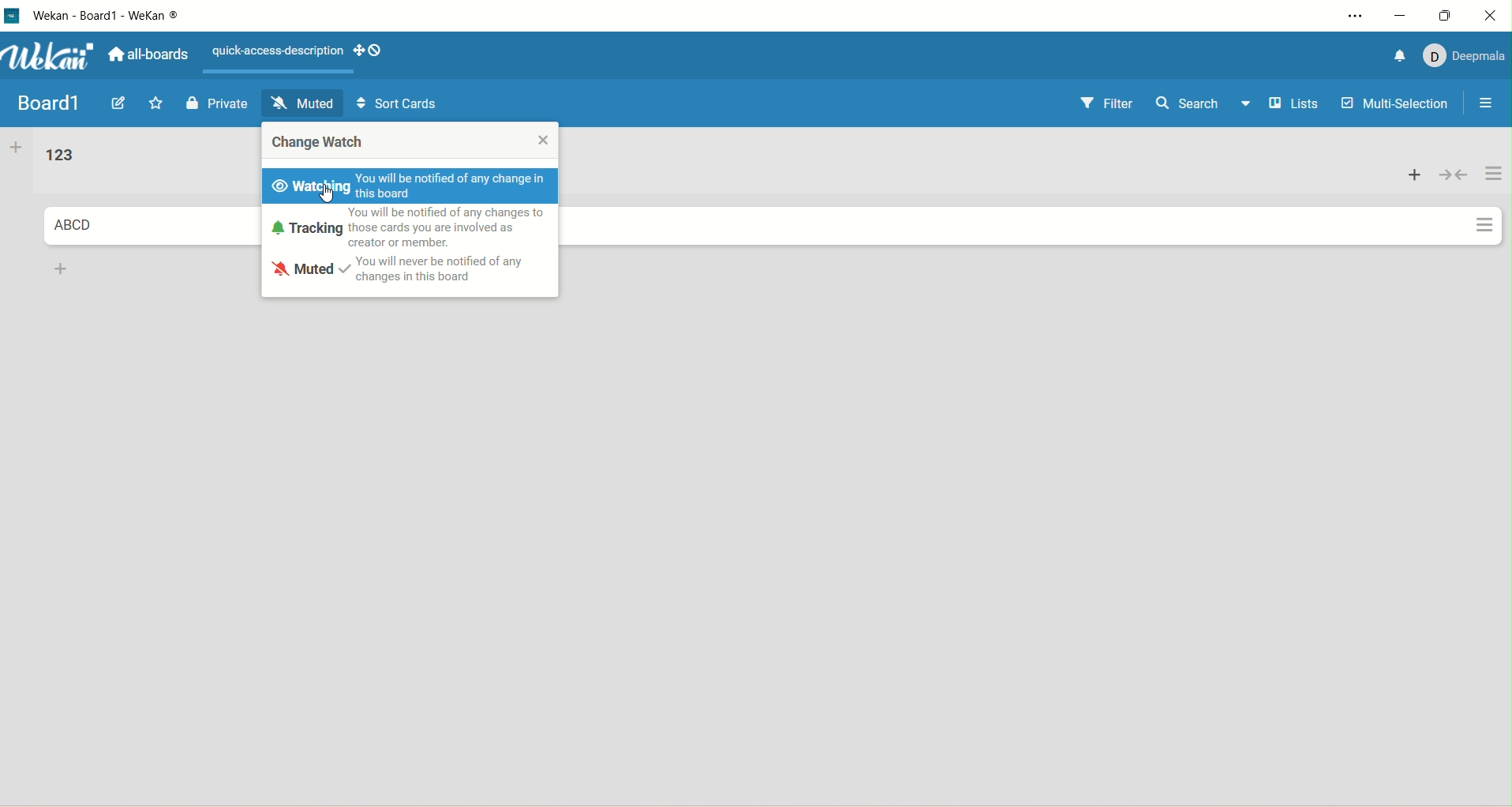  Describe the element at coordinates (1189, 106) in the screenshot. I see `search` at that location.